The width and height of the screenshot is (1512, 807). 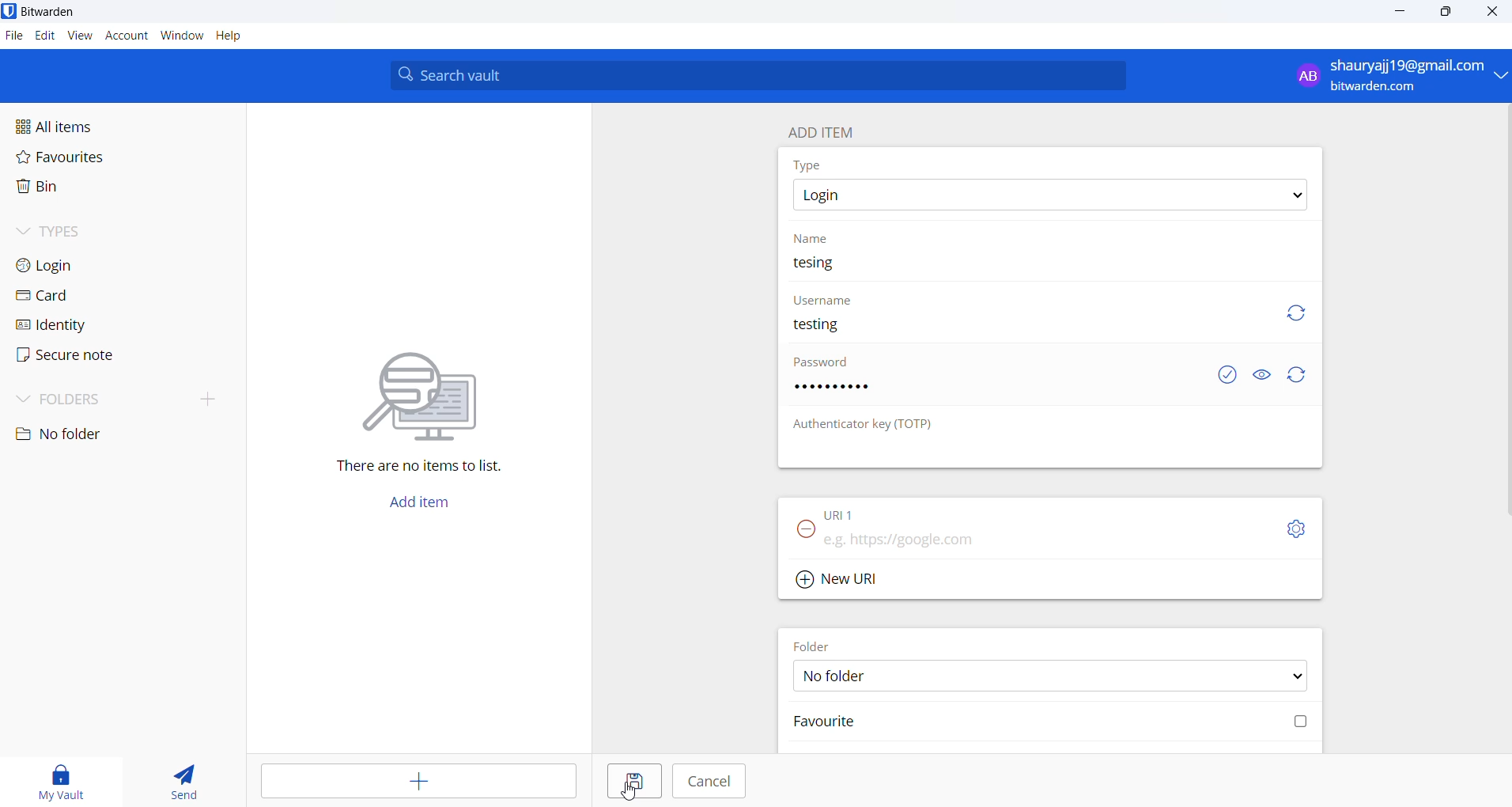 I want to click on my vault, so click(x=55, y=779).